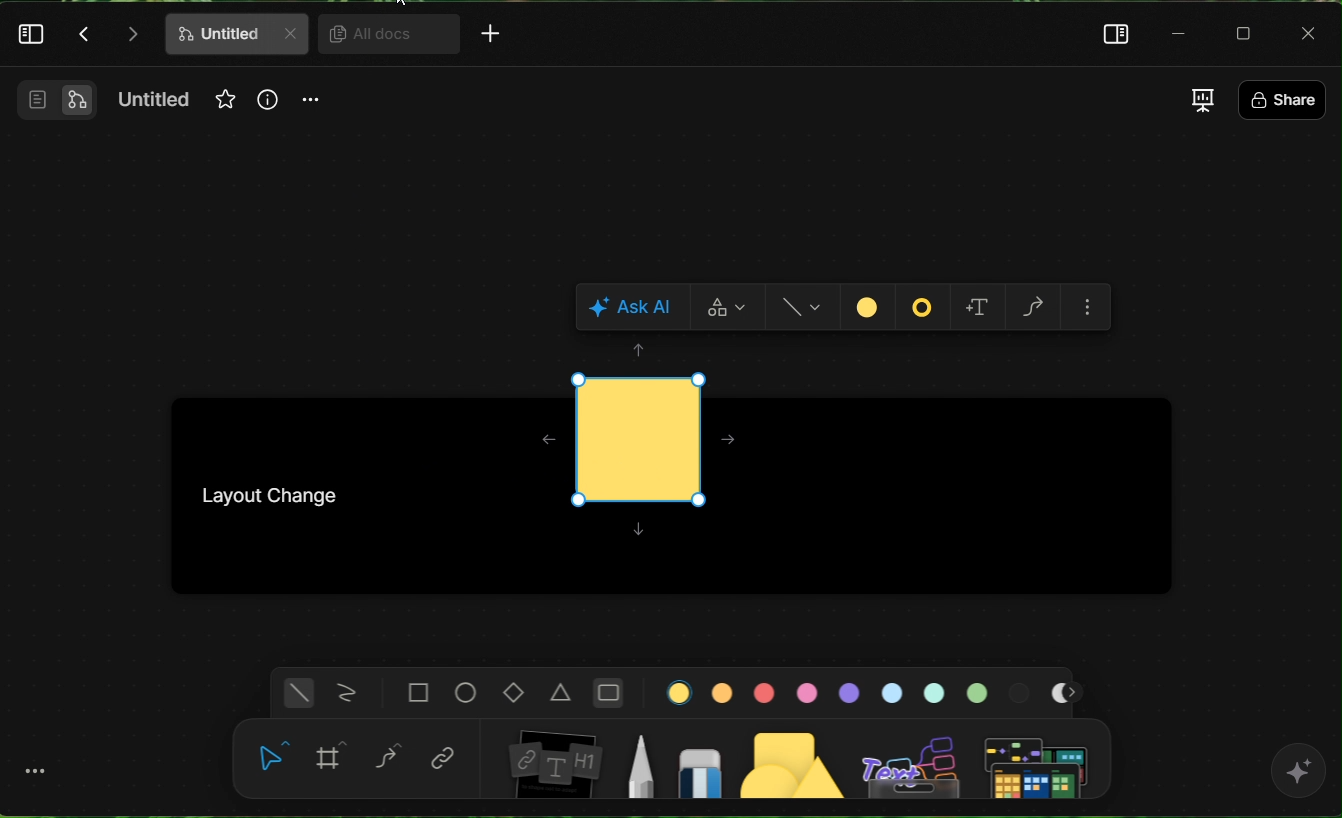  I want to click on Favourites, so click(223, 98).